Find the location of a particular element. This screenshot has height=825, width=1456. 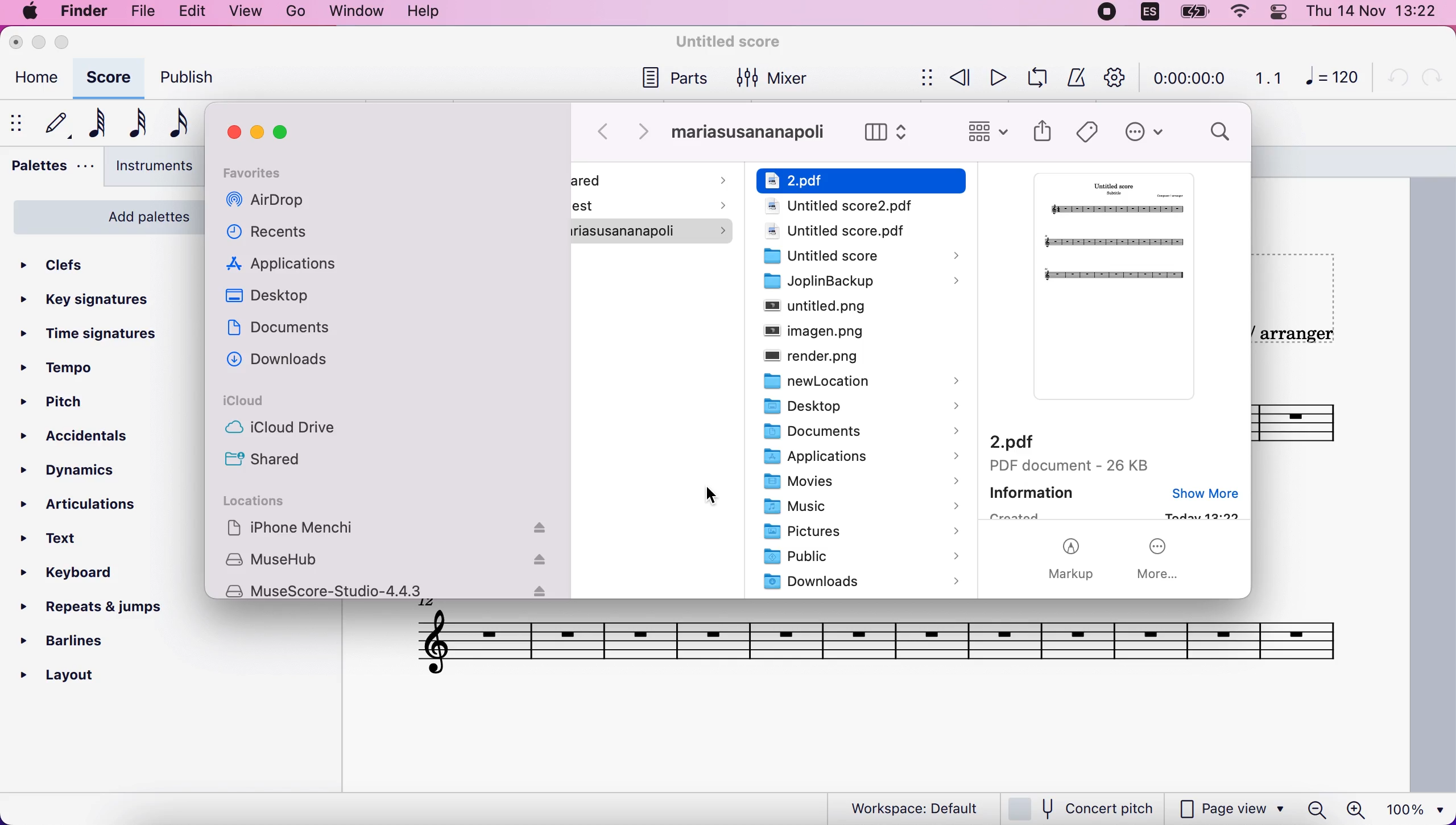

time signatures is located at coordinates (108, 335).